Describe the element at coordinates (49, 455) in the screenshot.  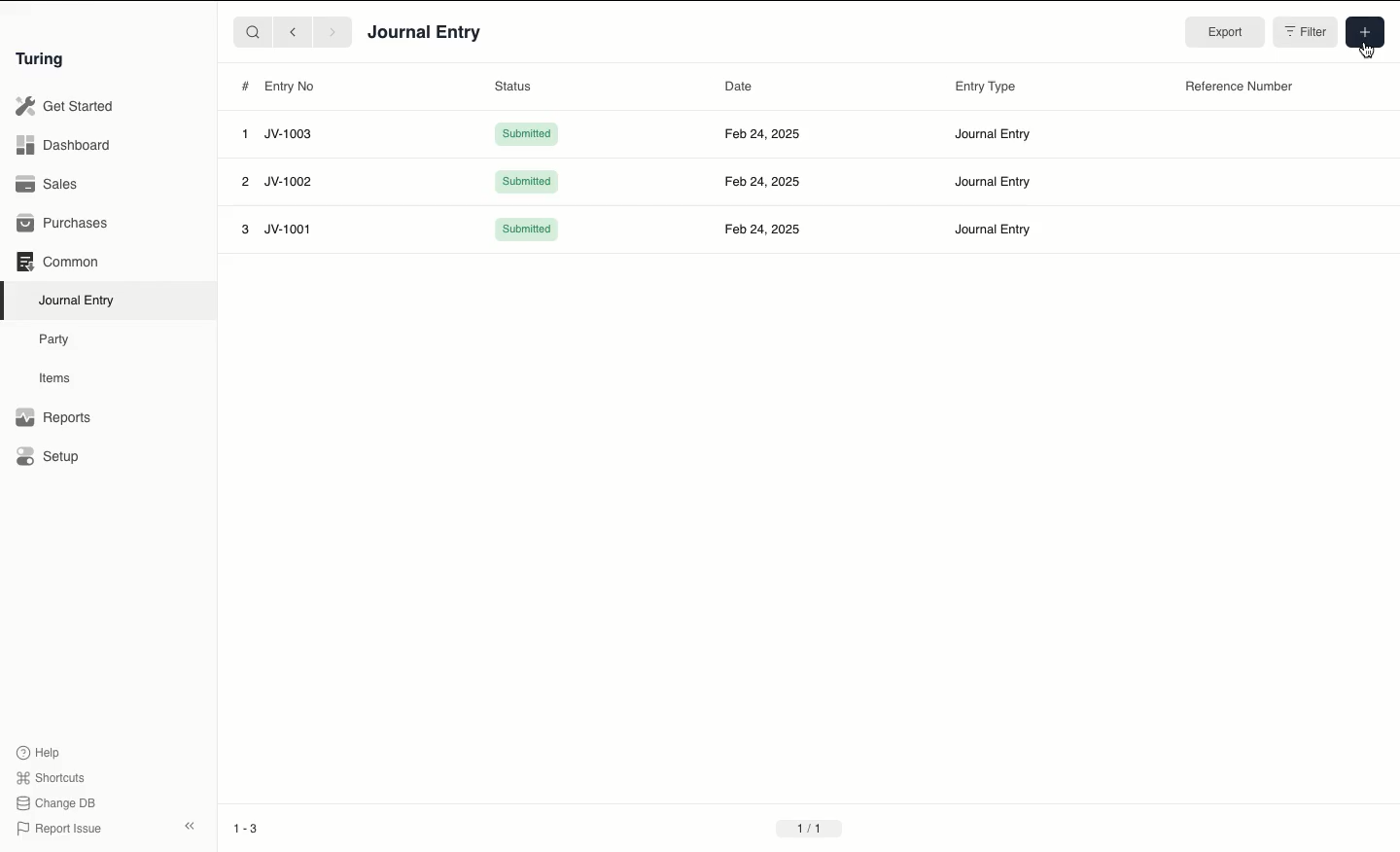
I see `Setup` at that location.